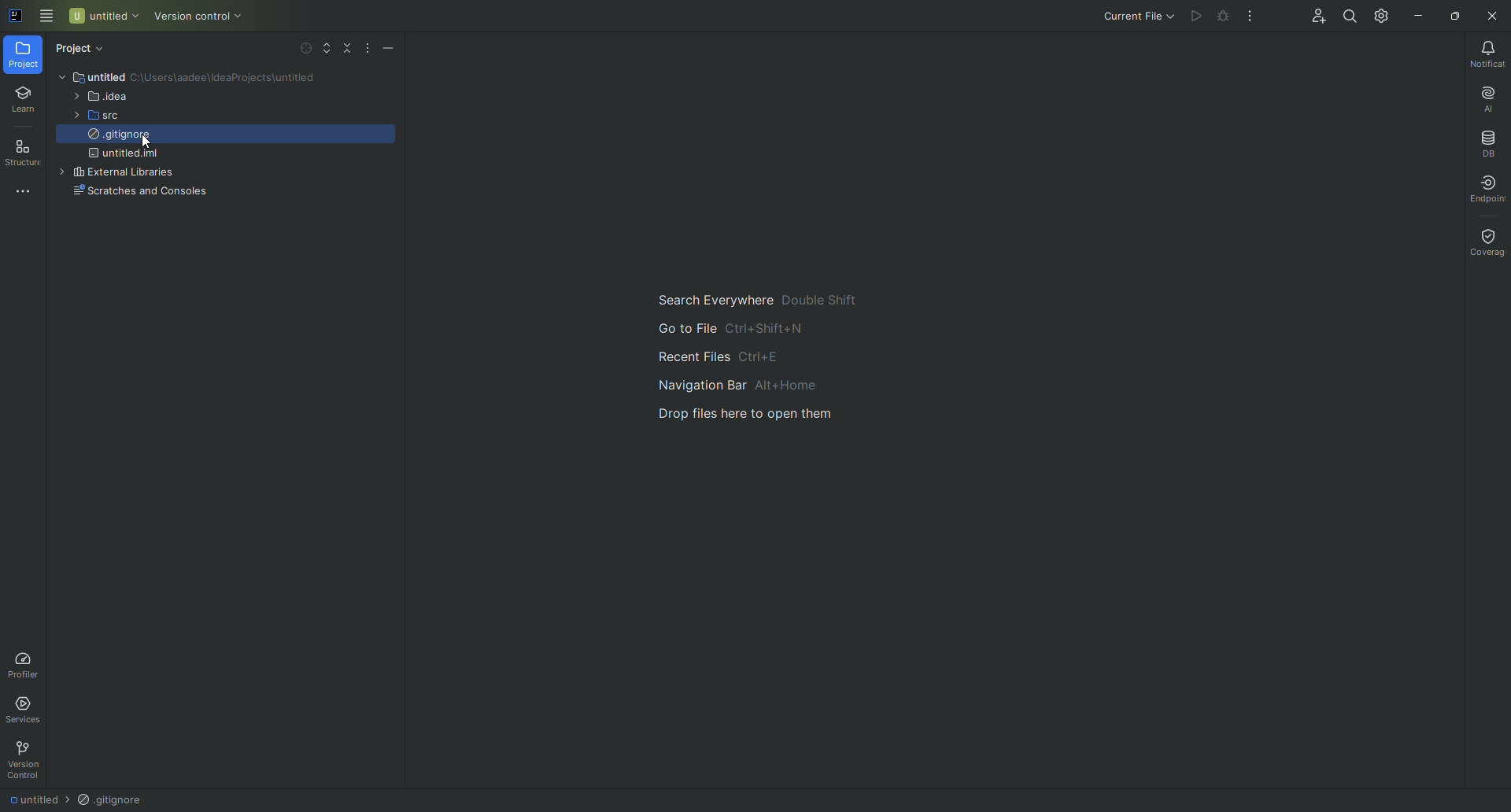 This screenshot has height=812, width=1511. What do you see at coordinates (150, 145) in the screenshot?
I see `Pointer` at bounding box center [150, 145].